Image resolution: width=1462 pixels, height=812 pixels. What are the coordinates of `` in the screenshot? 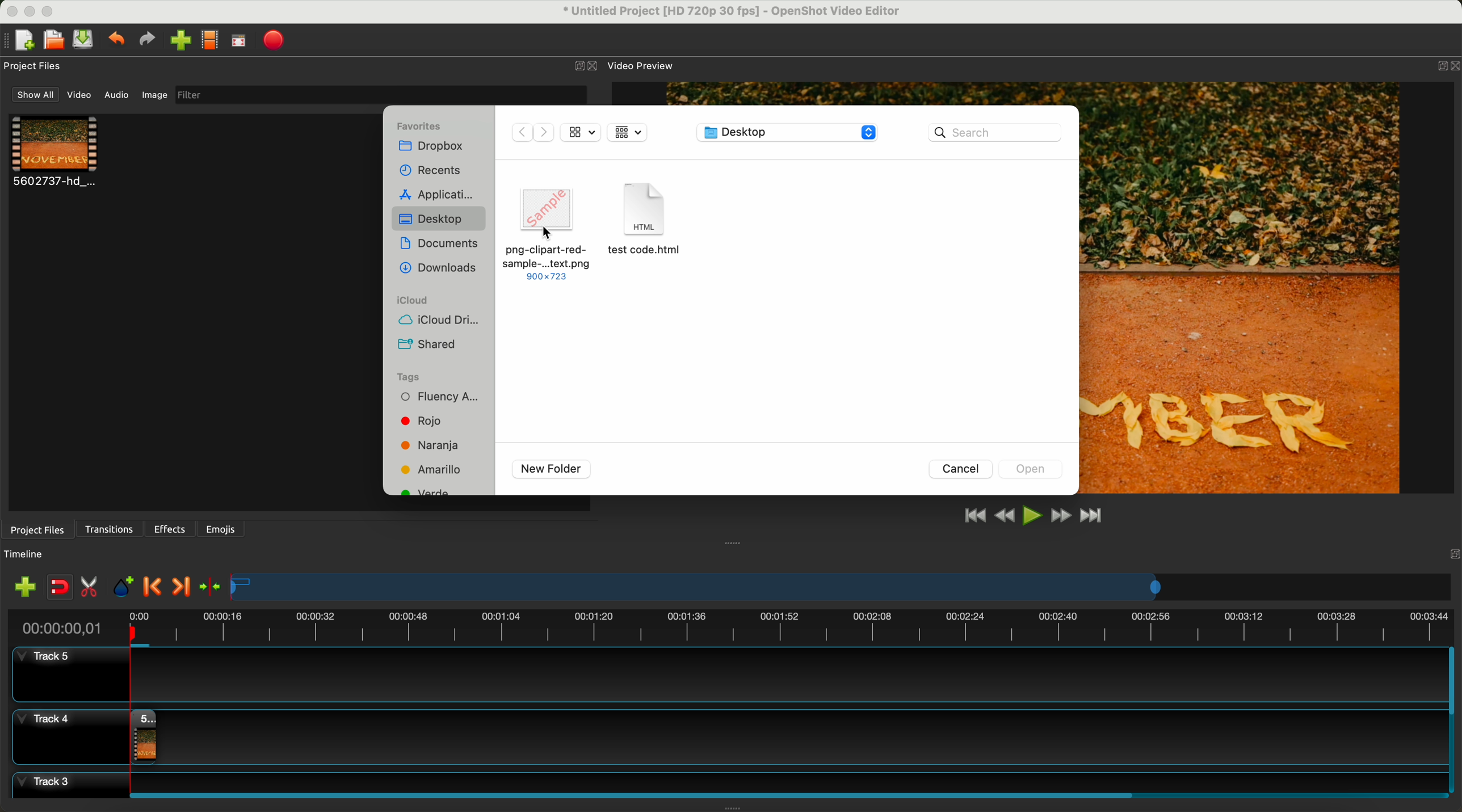 It's located at (1451, 553).